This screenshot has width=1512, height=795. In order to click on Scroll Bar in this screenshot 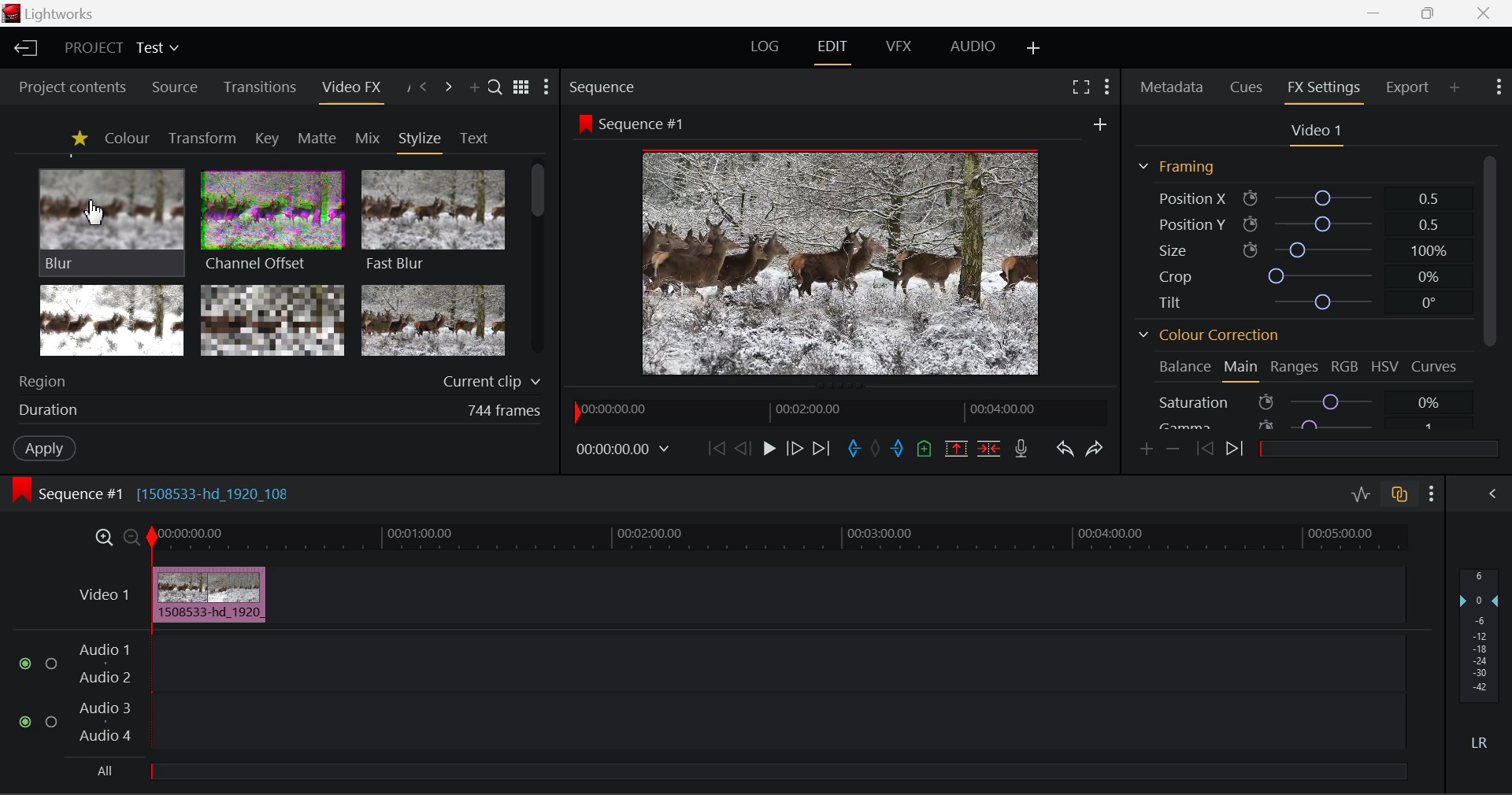, I will do `click(538, 262)`.